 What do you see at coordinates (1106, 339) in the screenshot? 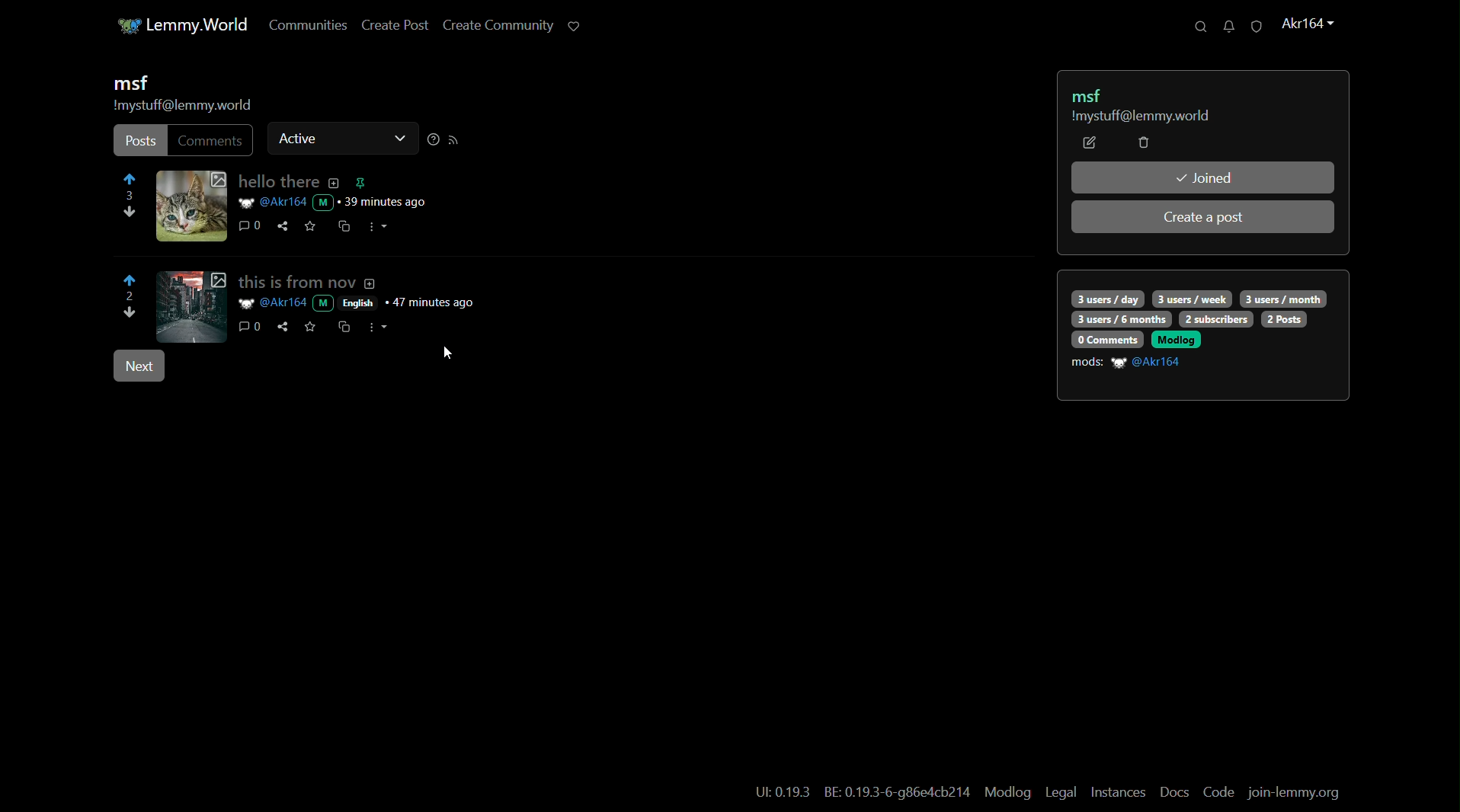
I see `0 comments` at bounding box center [1106, 339].